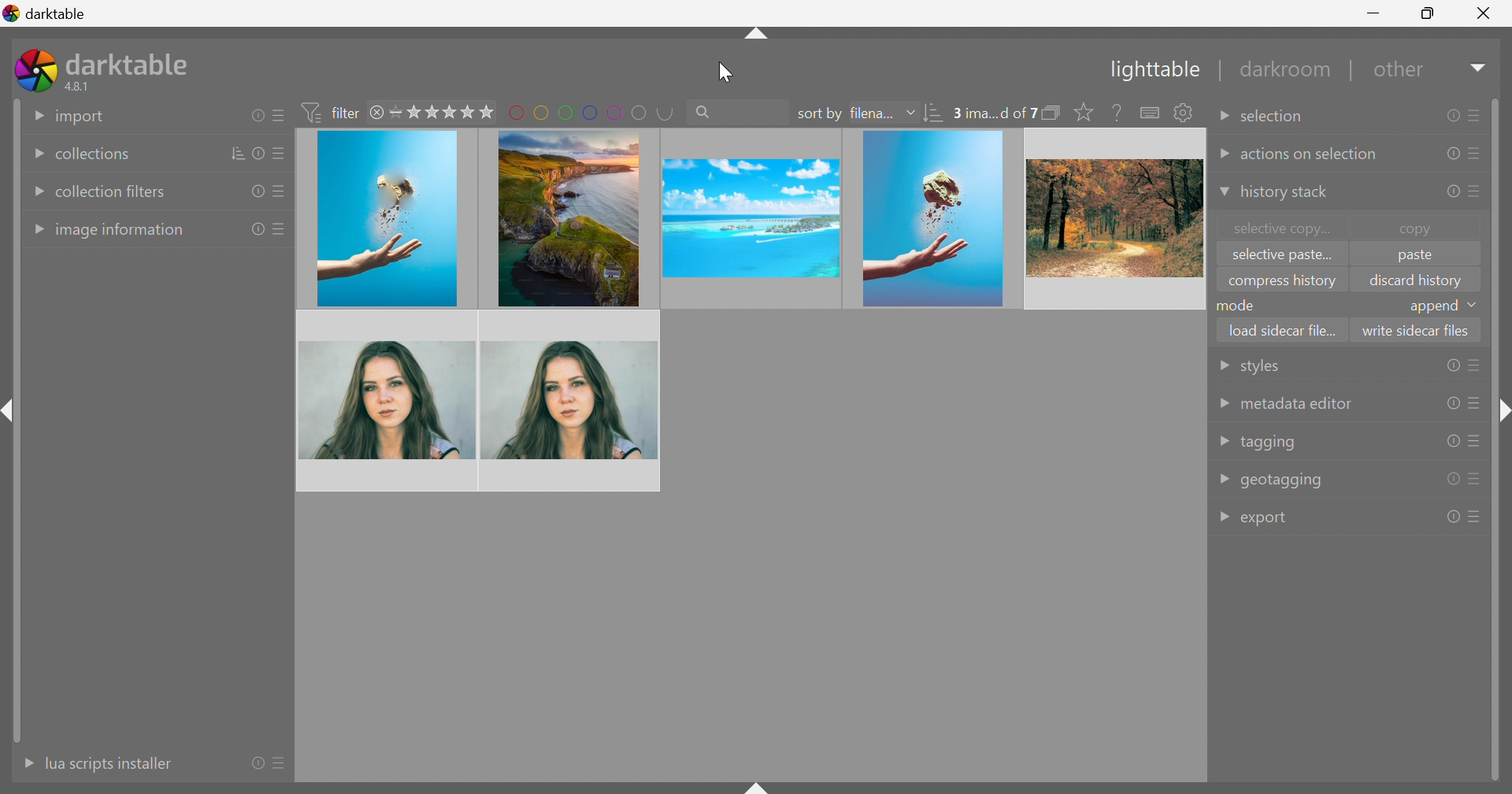 The width and height of the screenshot is (1512, 794). What do you see at coordinates (1151, 72) in the screenshot?
I see `Lighttable` at bounding box center [1151, 72].